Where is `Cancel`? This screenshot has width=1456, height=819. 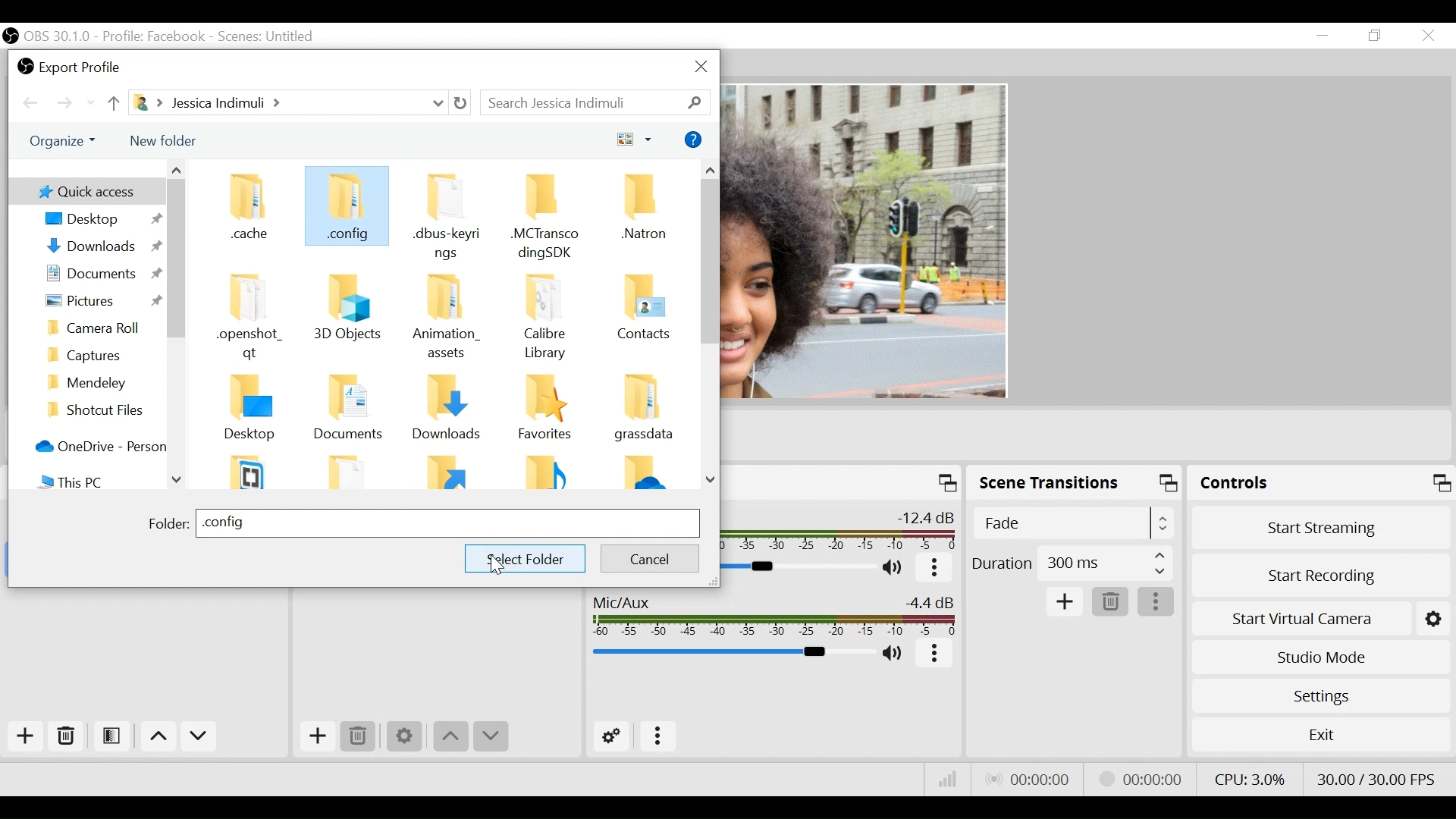 Cancel is located at coordinates (649, 557).